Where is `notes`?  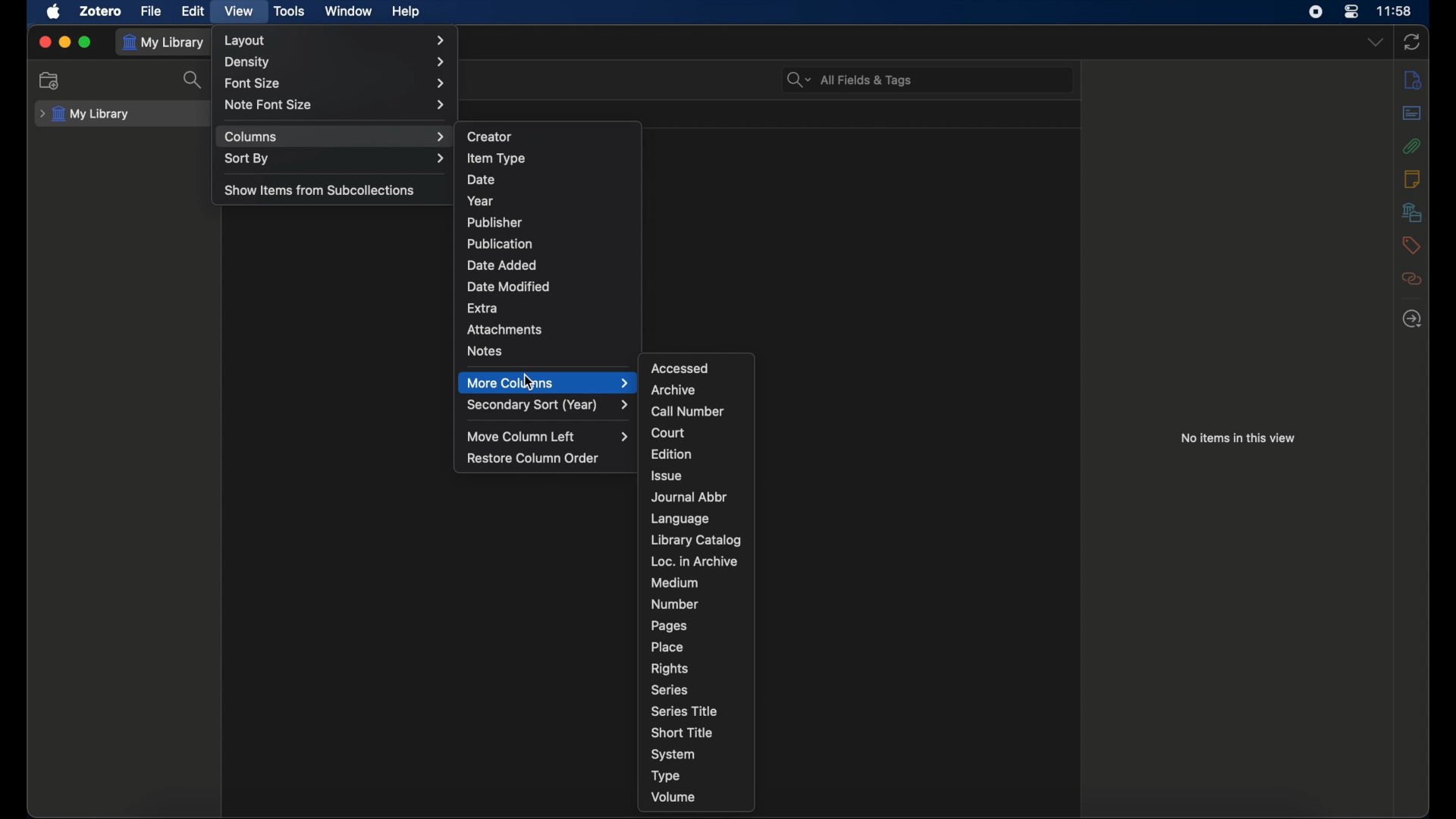 notes is located at coordinates (1411, 177).